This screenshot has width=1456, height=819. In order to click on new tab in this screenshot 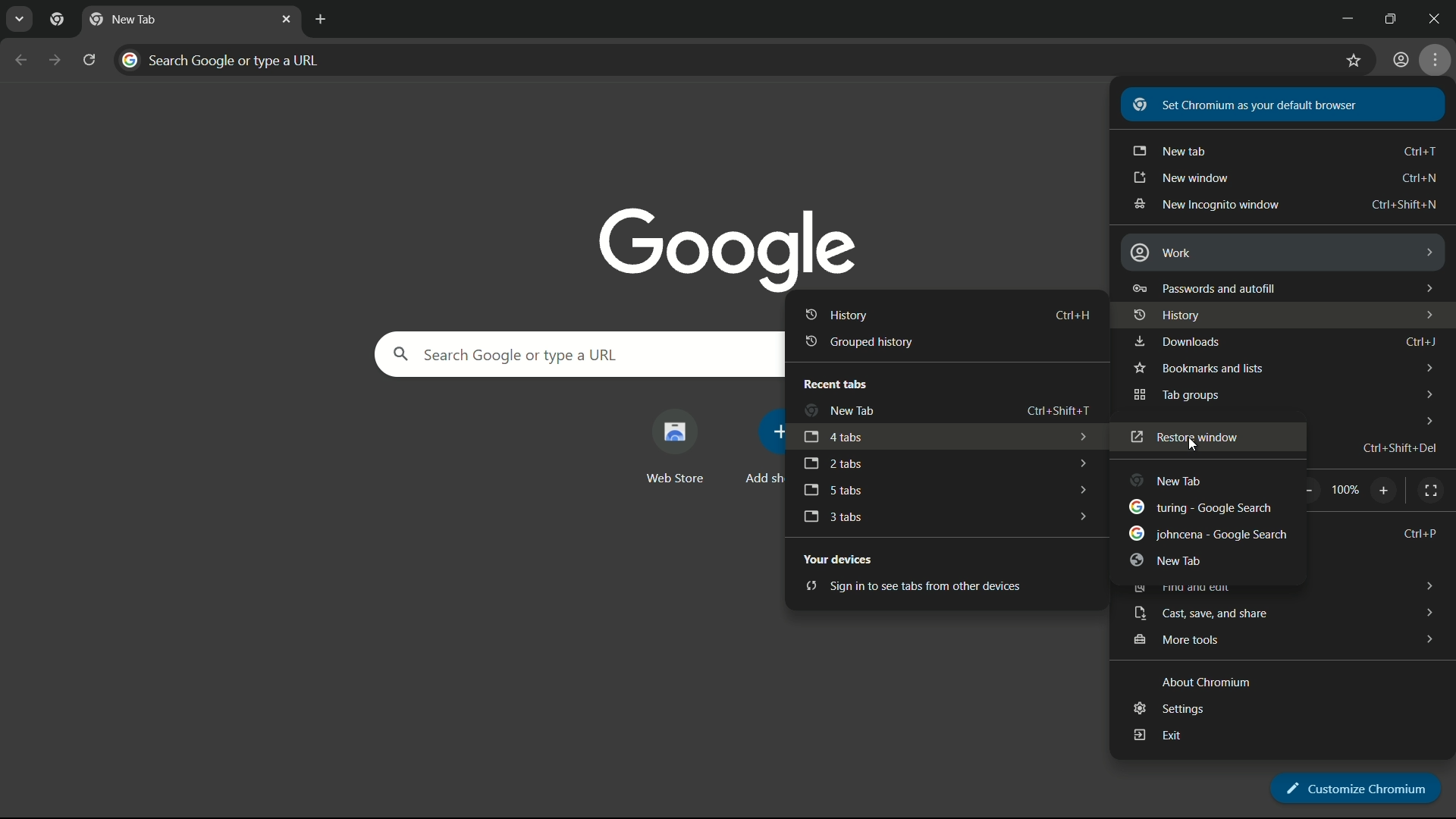, I will do `click(1169, 482)`.